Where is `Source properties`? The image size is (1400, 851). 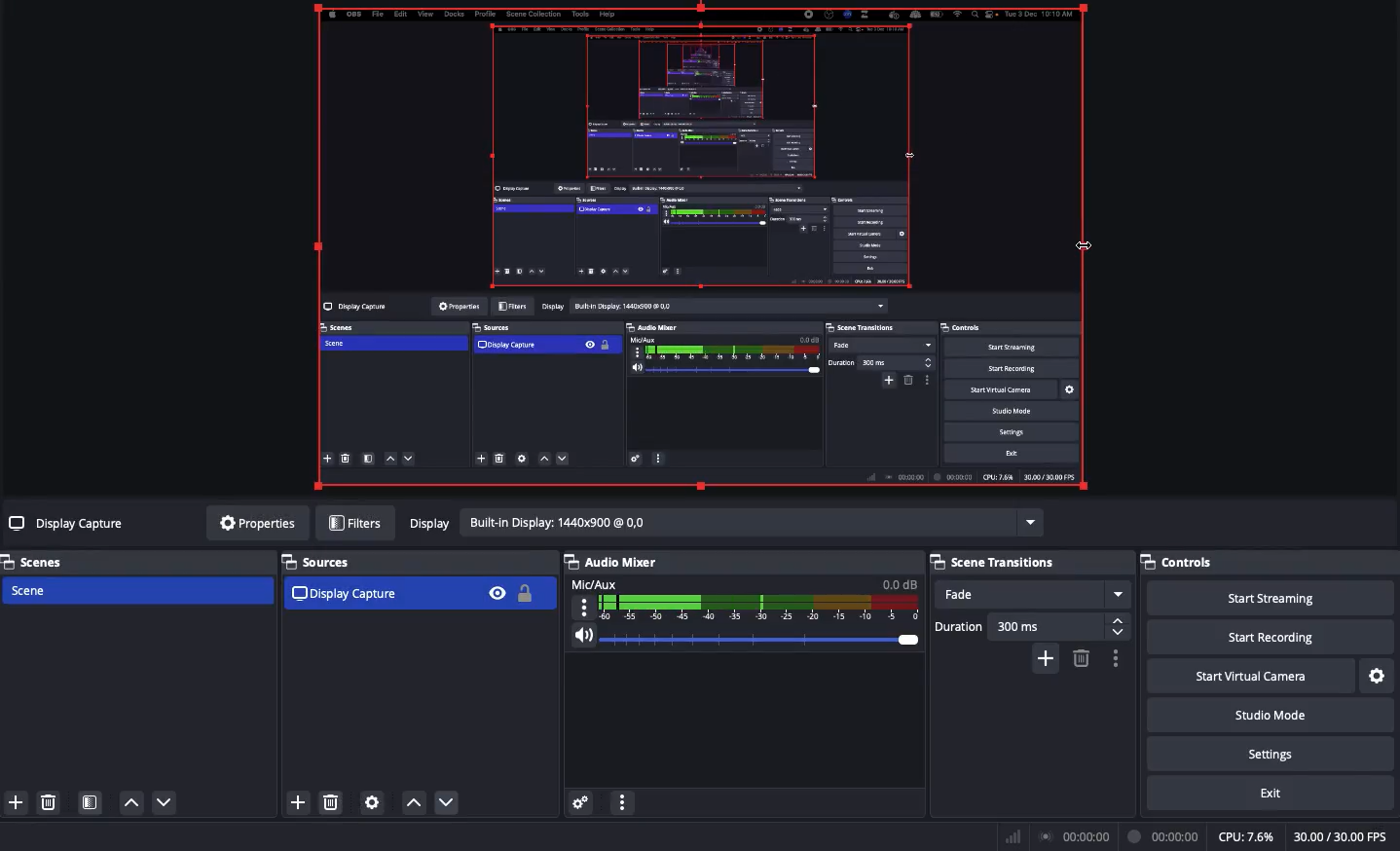 Source properties is located at coordinates (371, 803).